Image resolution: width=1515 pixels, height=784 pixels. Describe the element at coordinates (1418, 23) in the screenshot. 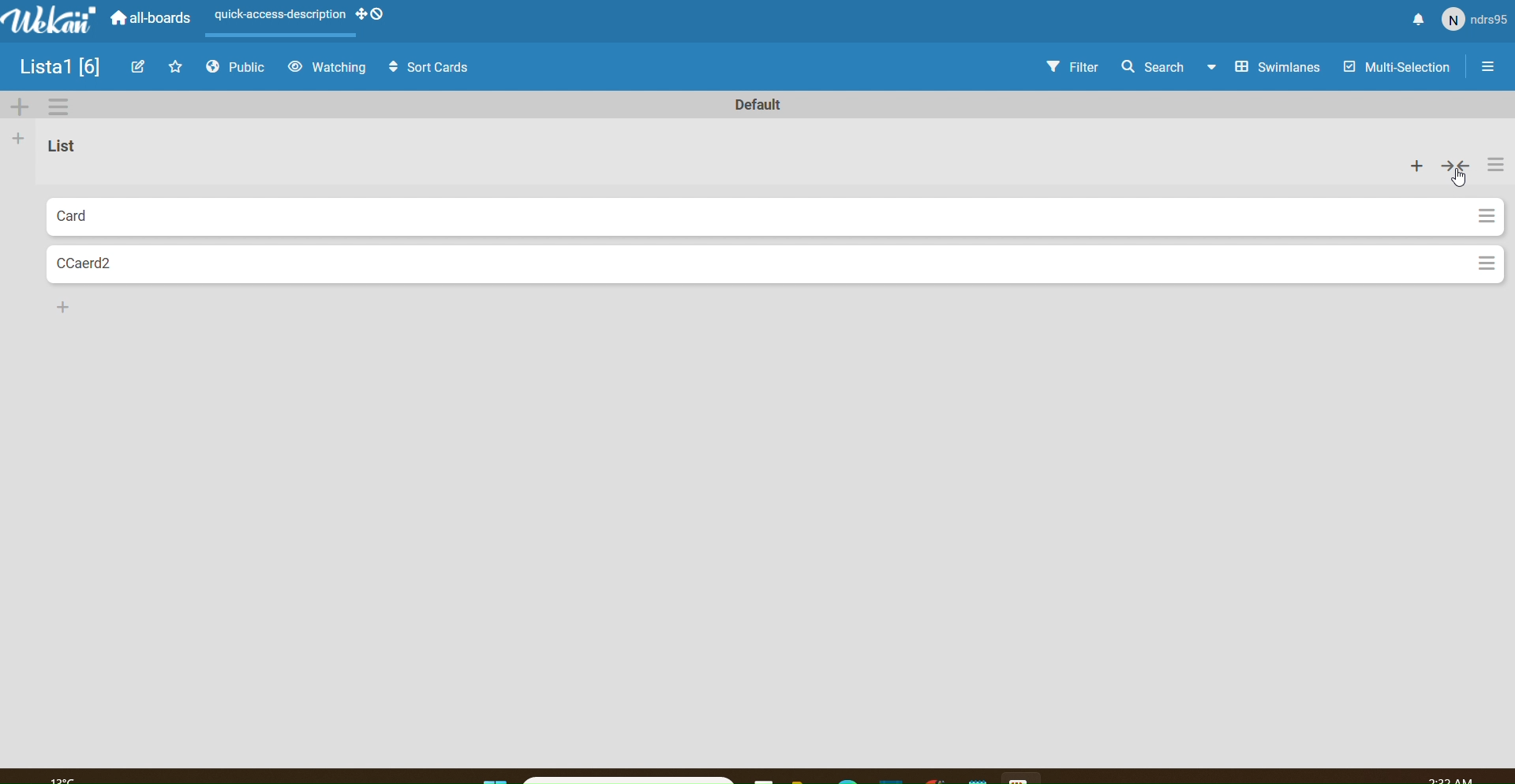

I see `Notify` at that location.